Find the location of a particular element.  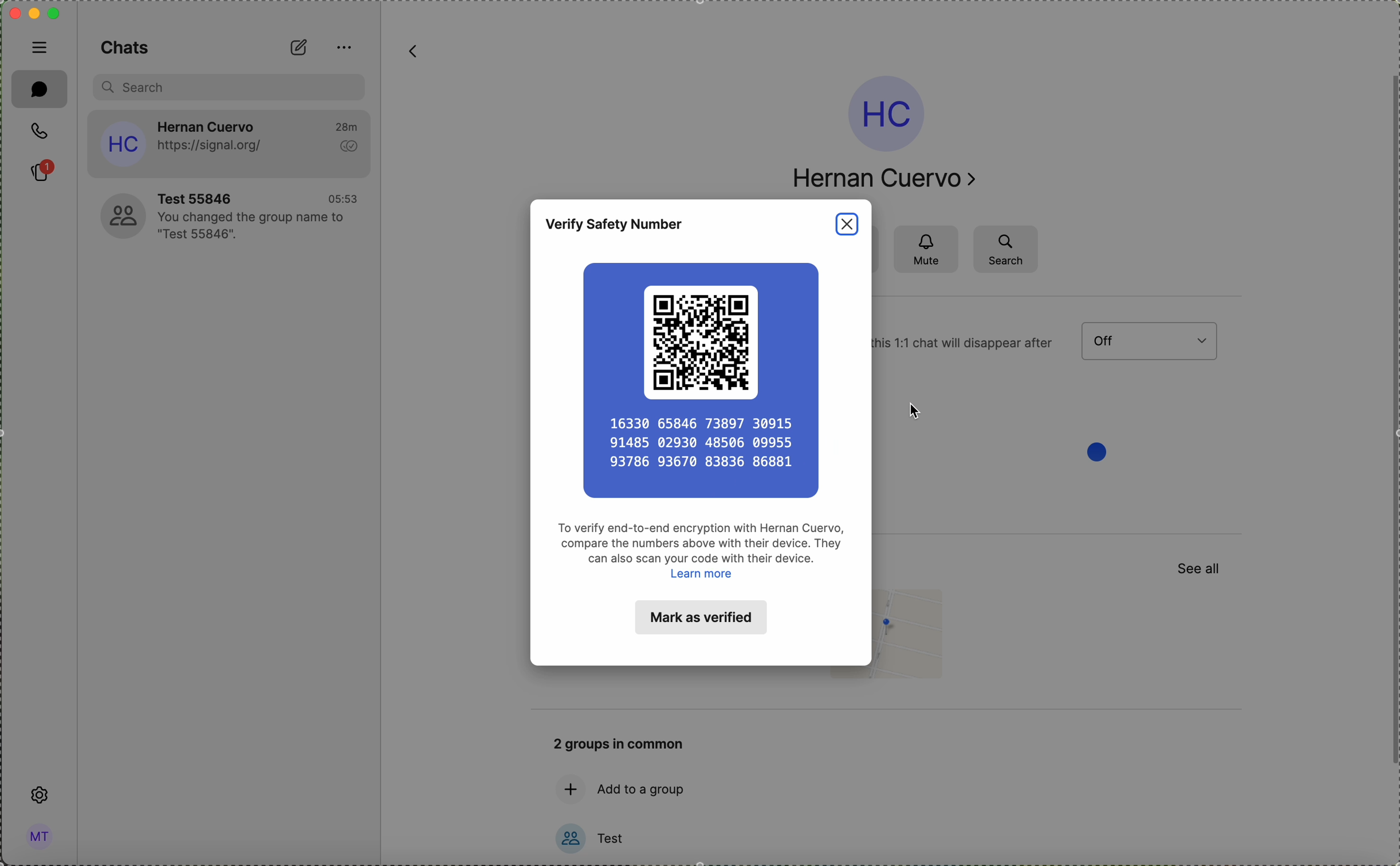

chat is located at coordinates (40, 89).